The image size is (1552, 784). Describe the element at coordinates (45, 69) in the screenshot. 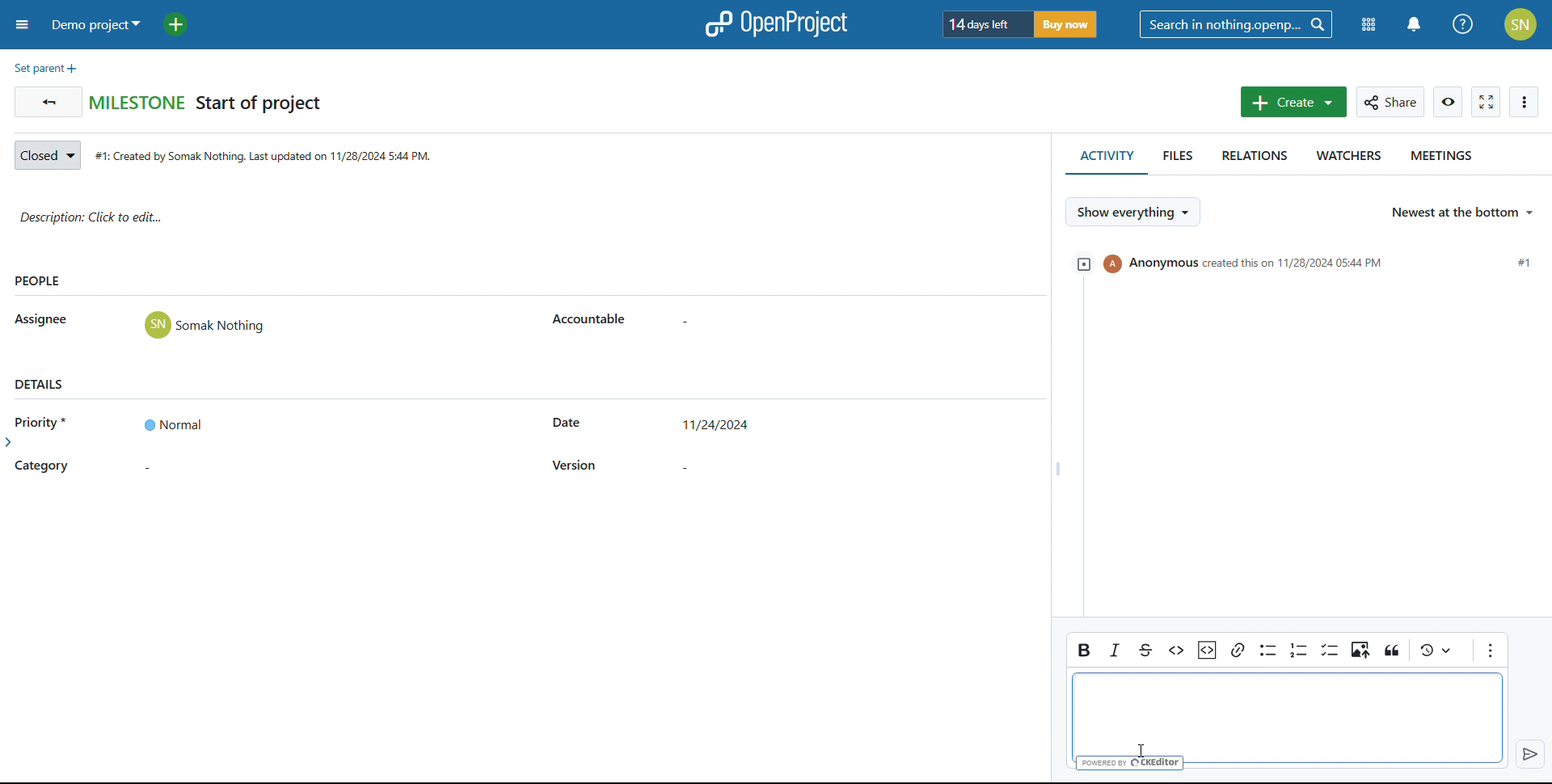

I see `set parent` at that location.